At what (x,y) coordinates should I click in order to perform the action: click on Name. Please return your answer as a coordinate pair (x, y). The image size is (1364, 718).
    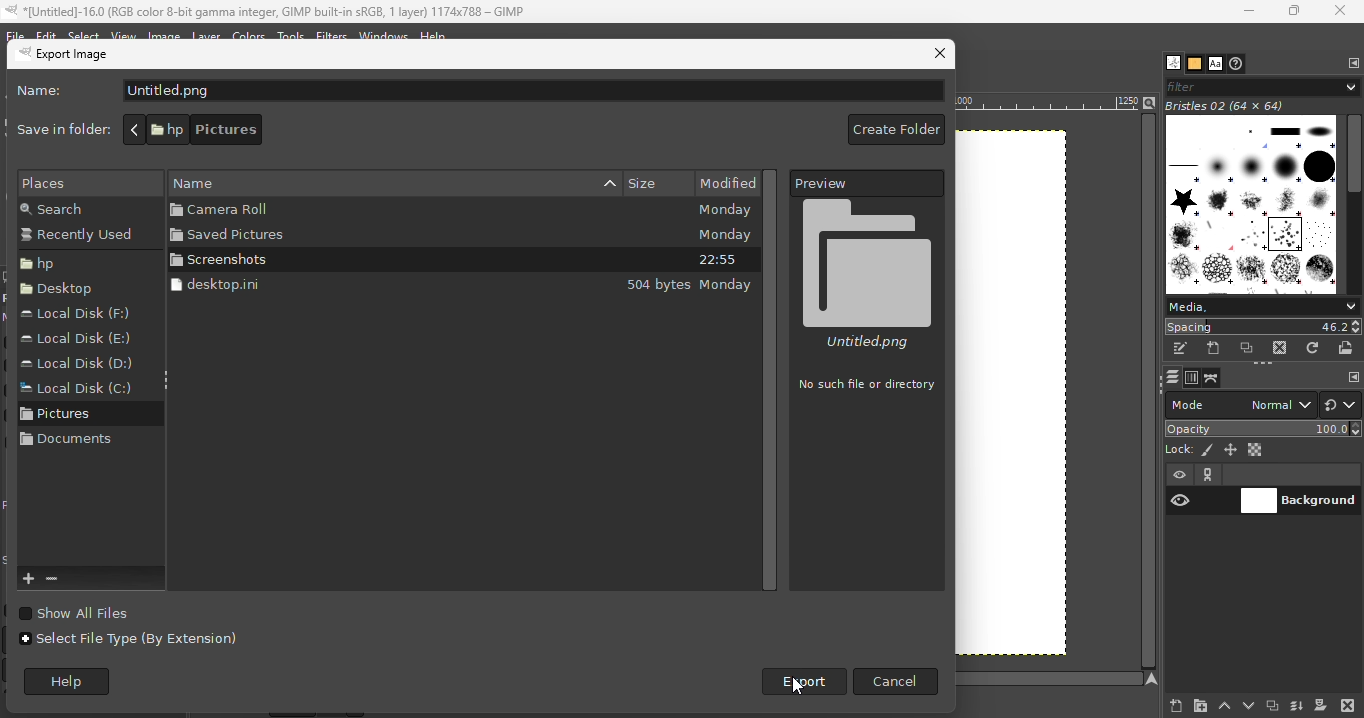
    Looking at the image, I should click on (450, 181).